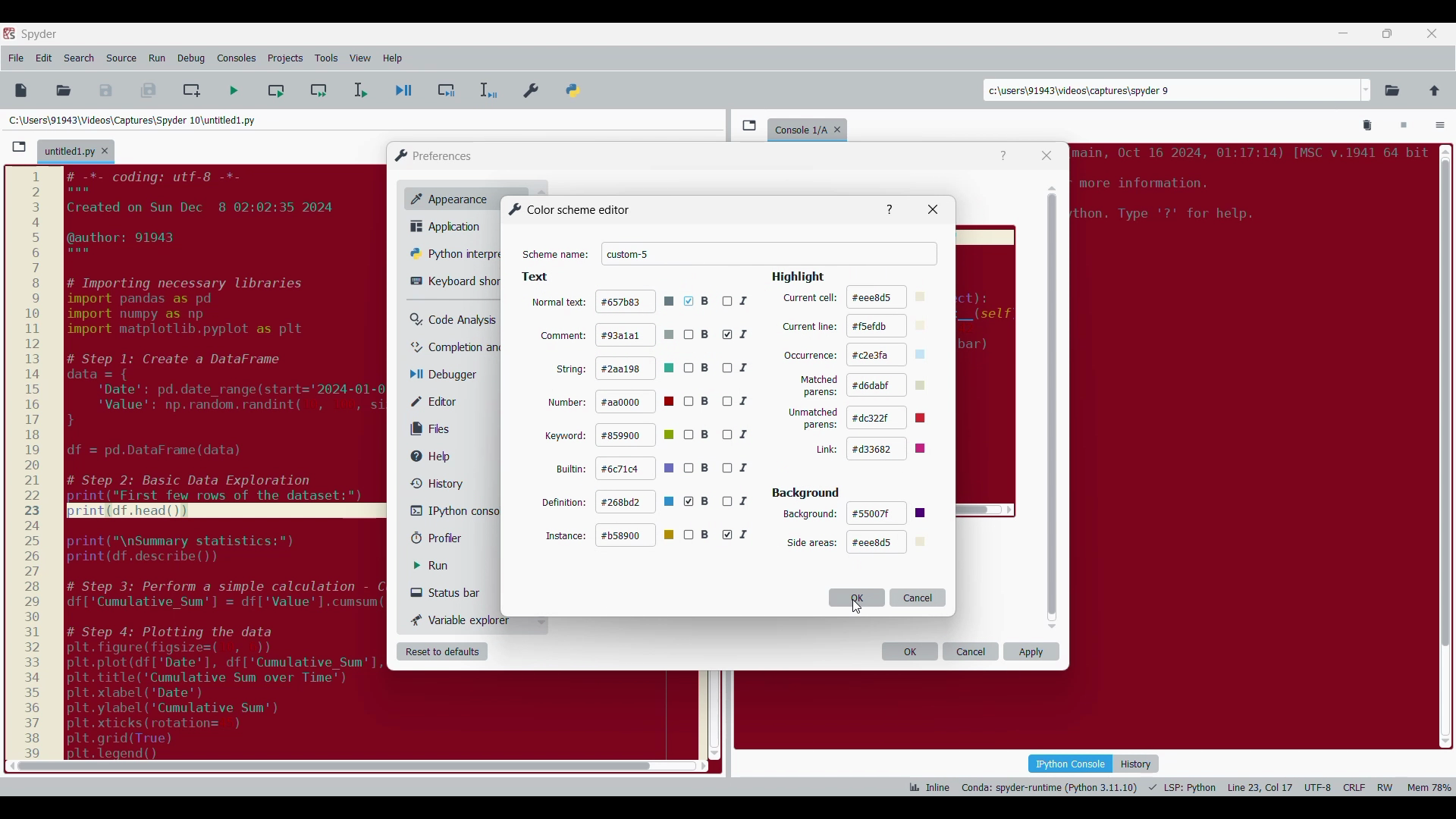  Describe the element at coordinates (558, 304) in the screenshot. I see `normal text` at that location.